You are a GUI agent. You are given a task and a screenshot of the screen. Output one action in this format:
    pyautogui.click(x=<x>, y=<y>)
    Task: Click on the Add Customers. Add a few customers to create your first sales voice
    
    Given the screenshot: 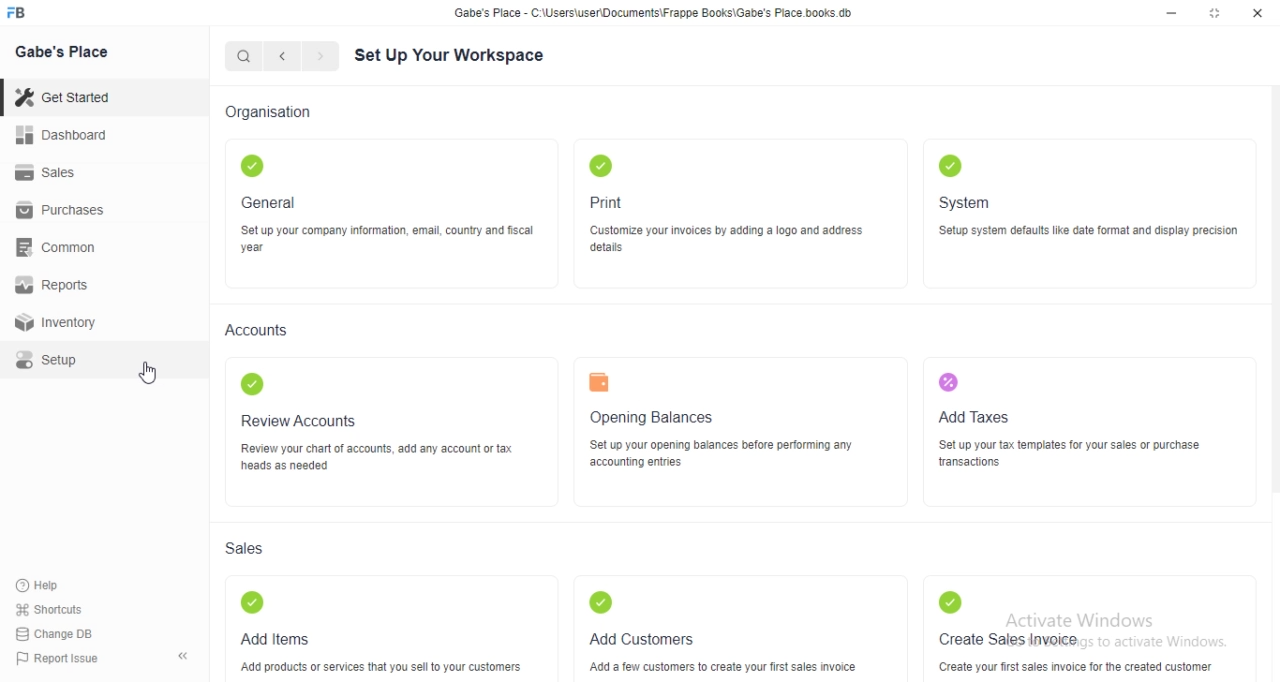 What is the action you would take?
    pyautogui.click(x=725, y=627)
    